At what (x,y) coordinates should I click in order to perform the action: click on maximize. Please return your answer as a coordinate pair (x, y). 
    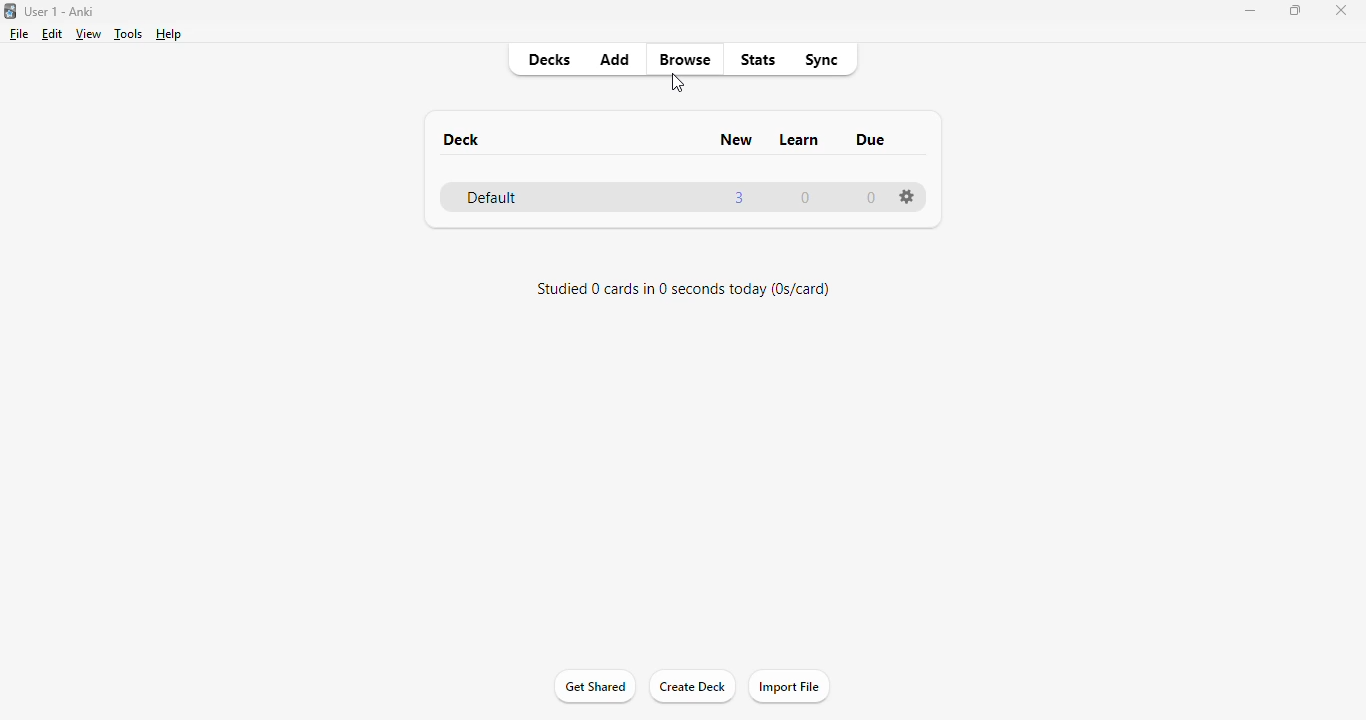
    Looking at the image, I should click on (1294, 9).